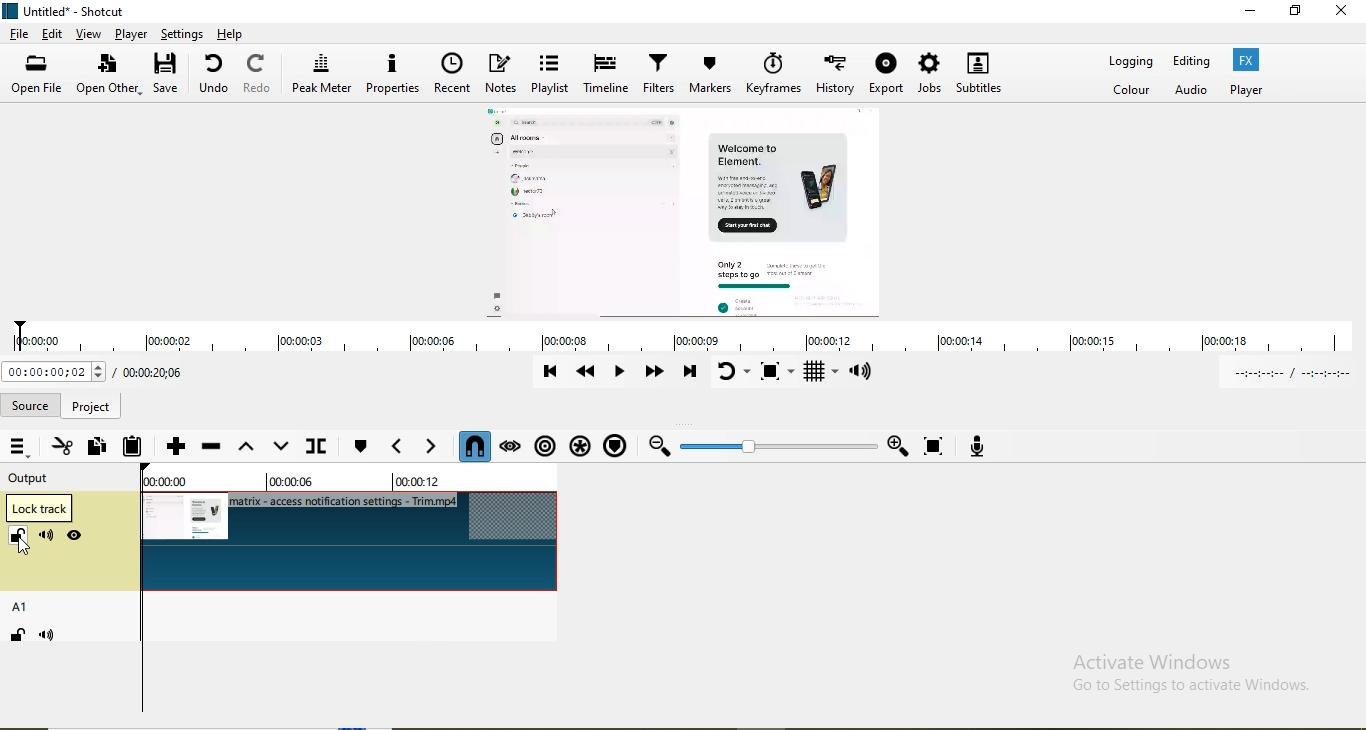 The image size is (1366, 730). What do you see at coordinates (513, 445) in the screenshot?
I see `Scrub while dragging` at bounding box center [513, 445].